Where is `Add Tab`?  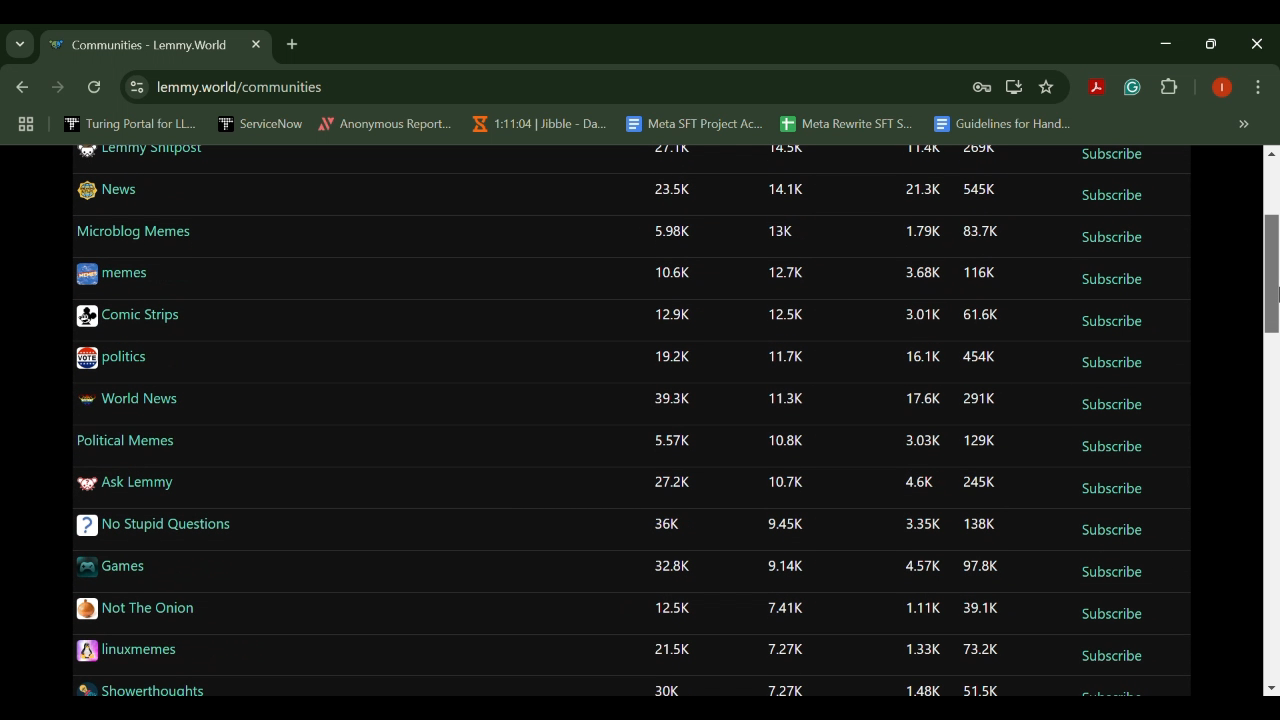
Add Tab is located at coordinates (291, 43).